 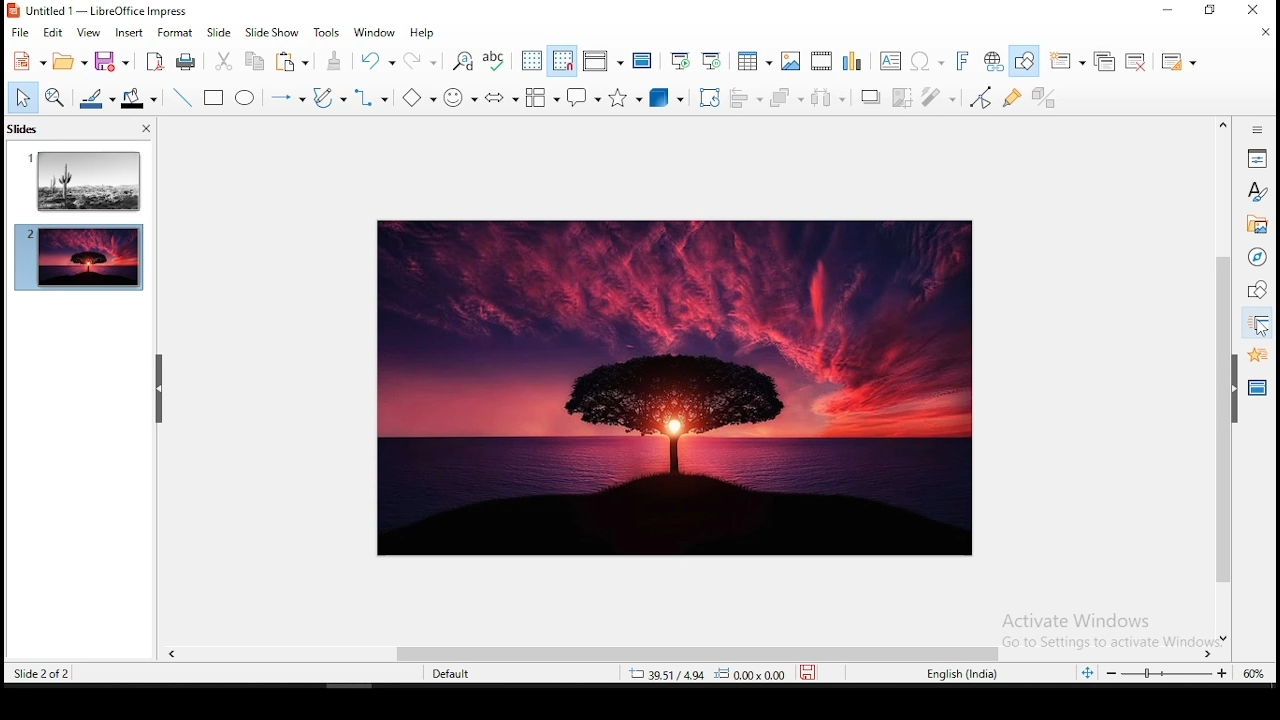 I want to click on ellipse, so click(x=248, y=97).